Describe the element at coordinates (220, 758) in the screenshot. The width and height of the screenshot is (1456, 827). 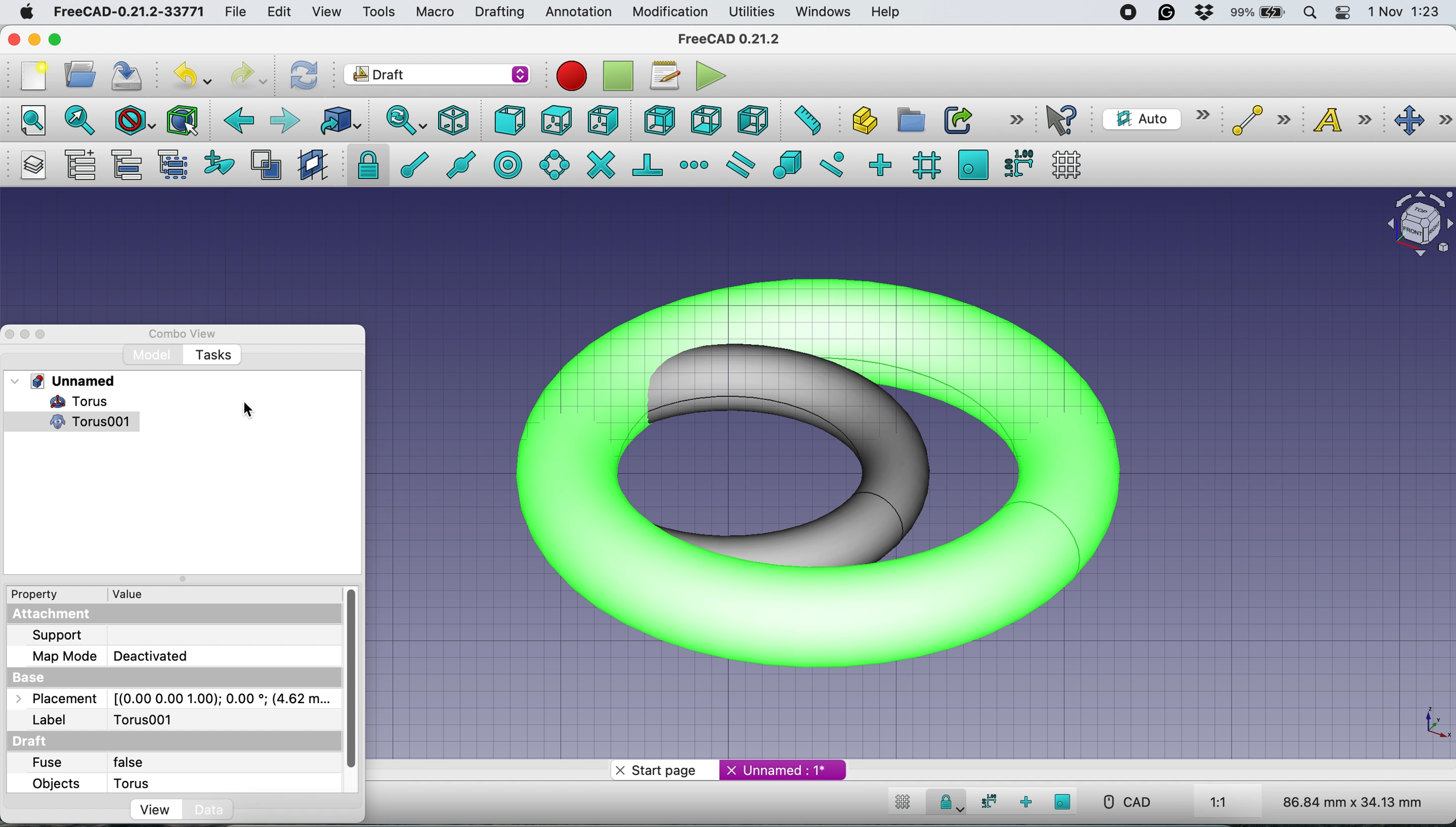
I see `False` at that location.